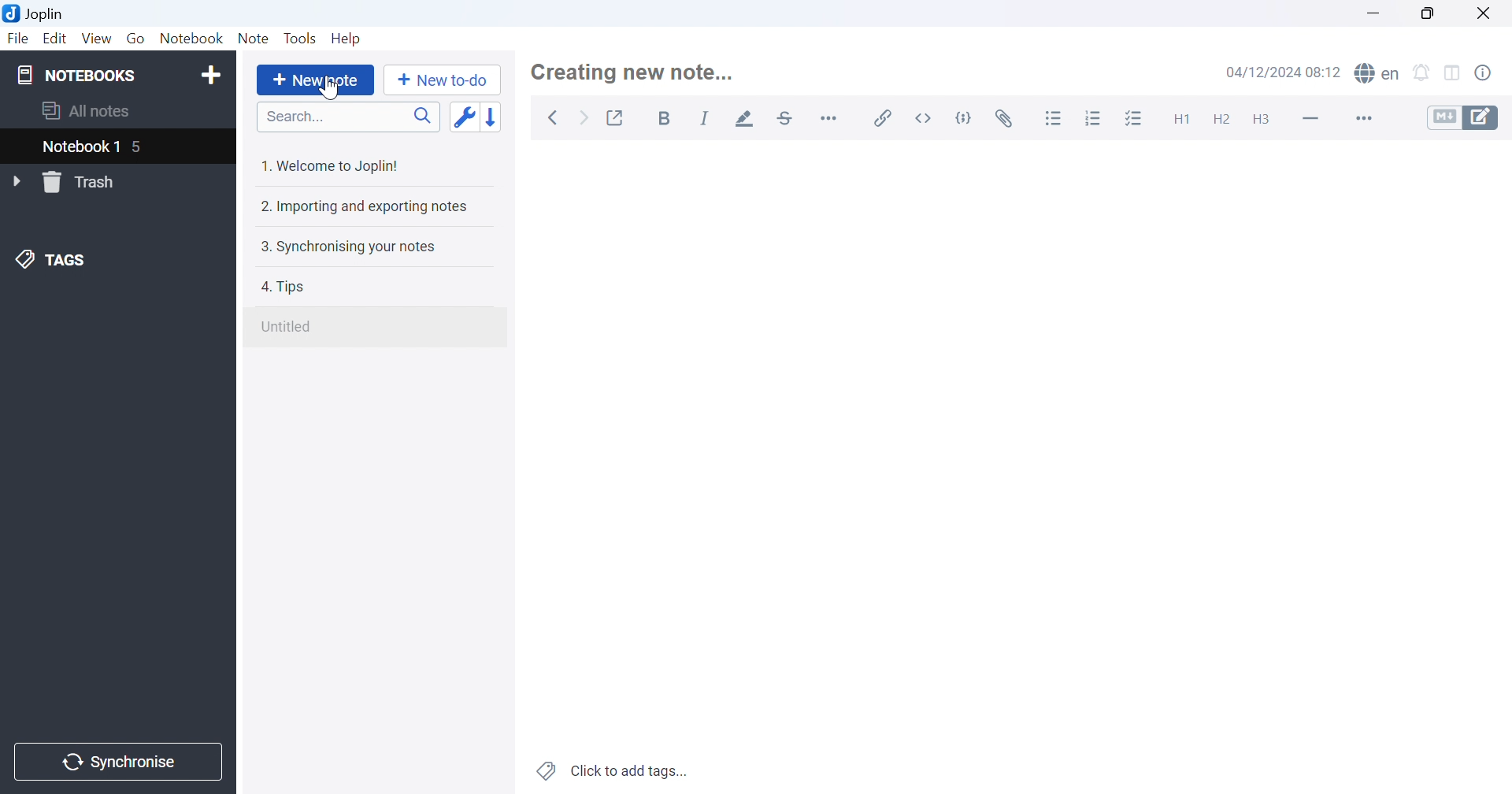 The width and height of the screenshot is (1512, 794). Describe the element at coordinates (352, 245) in the screenshot. I see `3. Synchronising your notes` at that location.